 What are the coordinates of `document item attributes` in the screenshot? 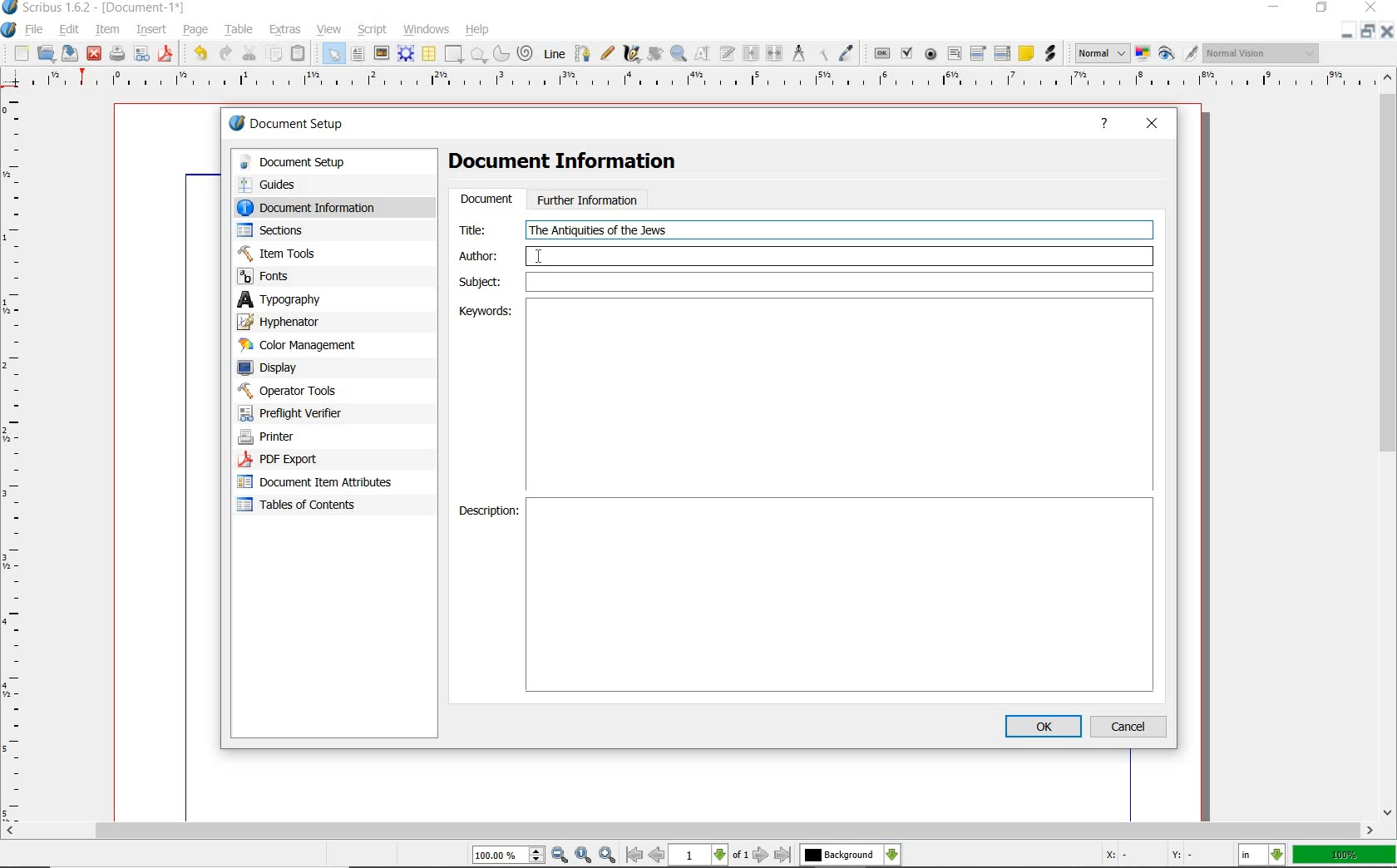 It's located at (321, 484).